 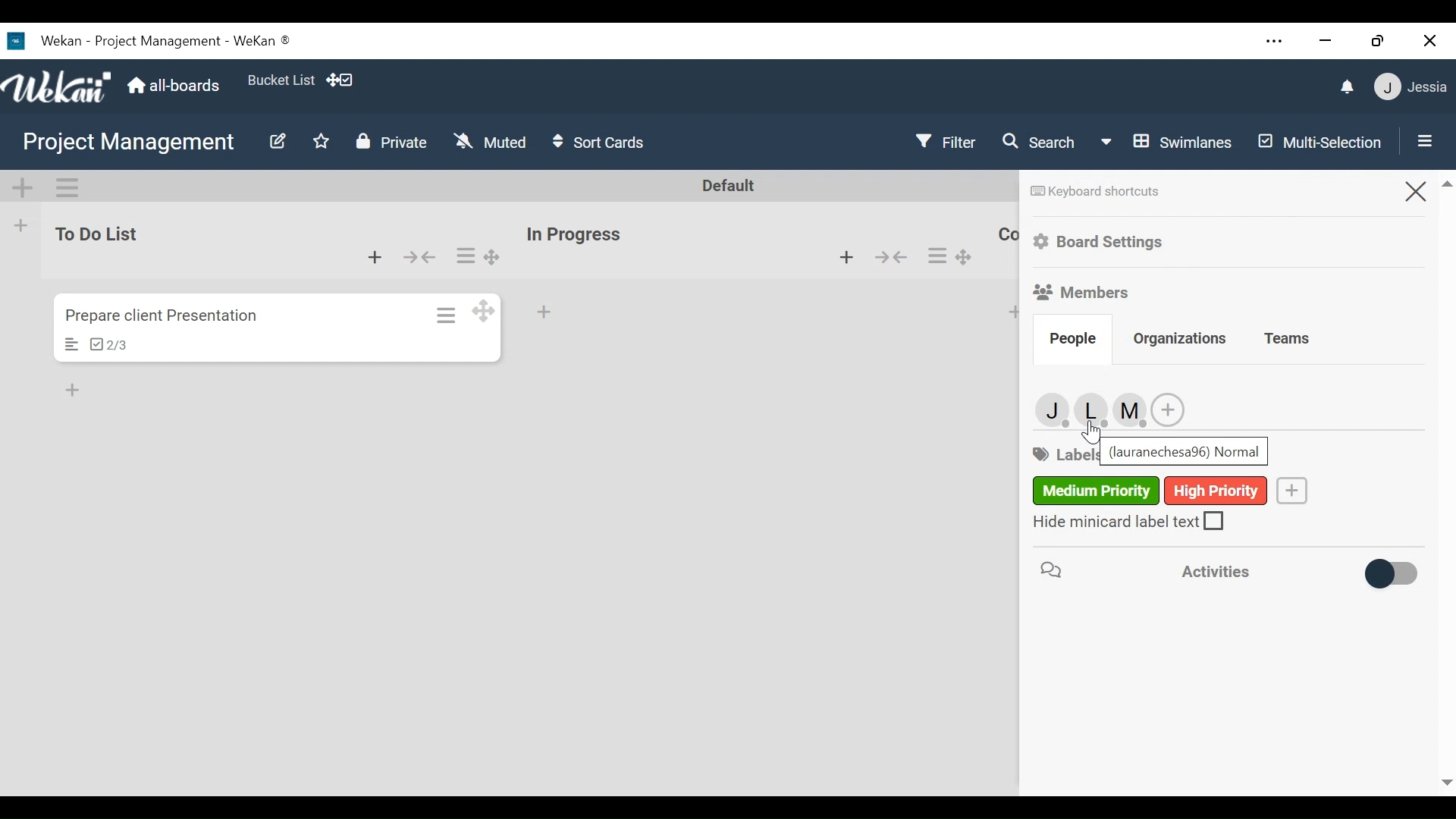 I want to click on Labels, so click(x=1150, y=491).